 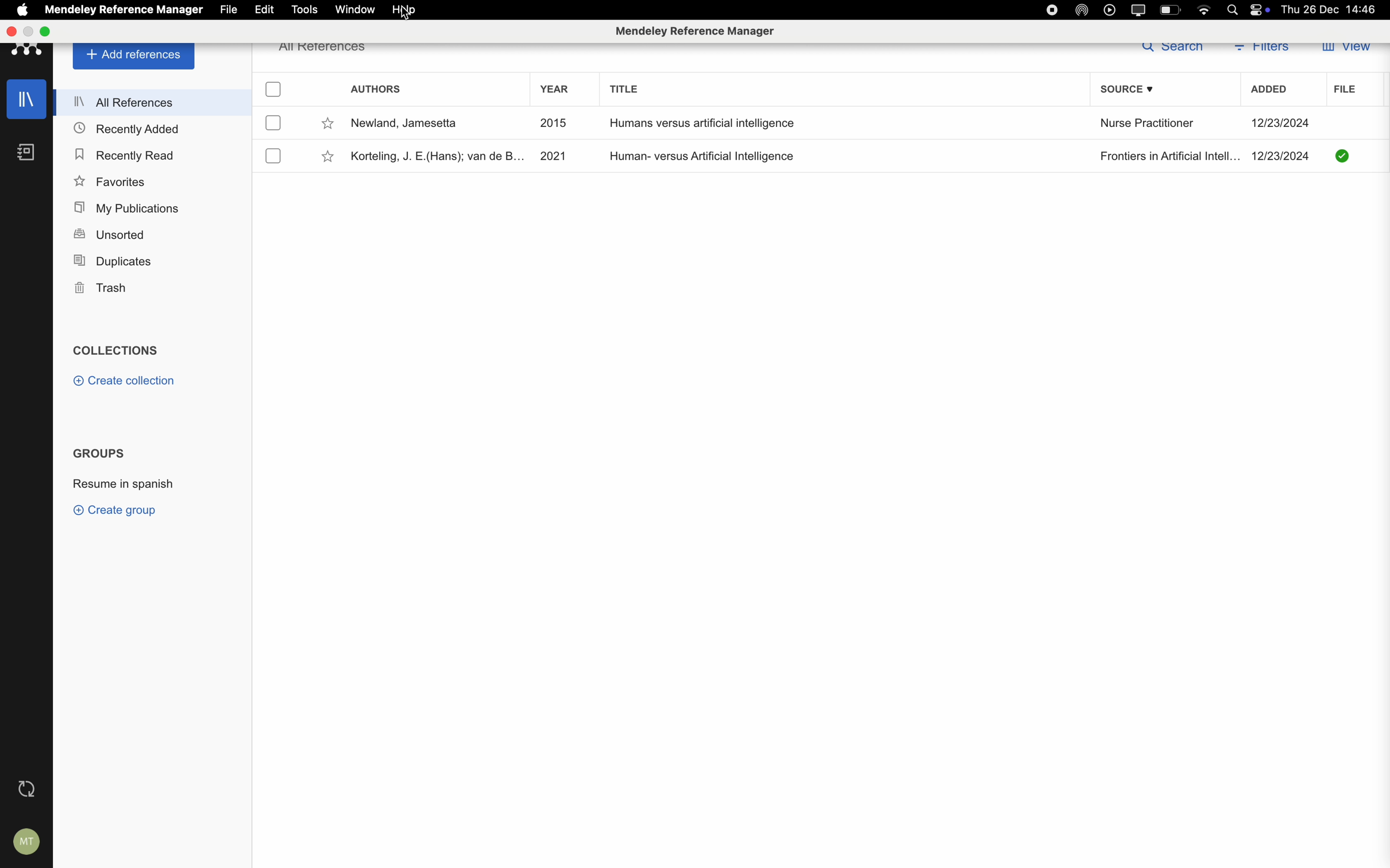 What do you see at coordinates (1351, 88) in the screenshot?
I see `file` at bounding box center [1351, 88].